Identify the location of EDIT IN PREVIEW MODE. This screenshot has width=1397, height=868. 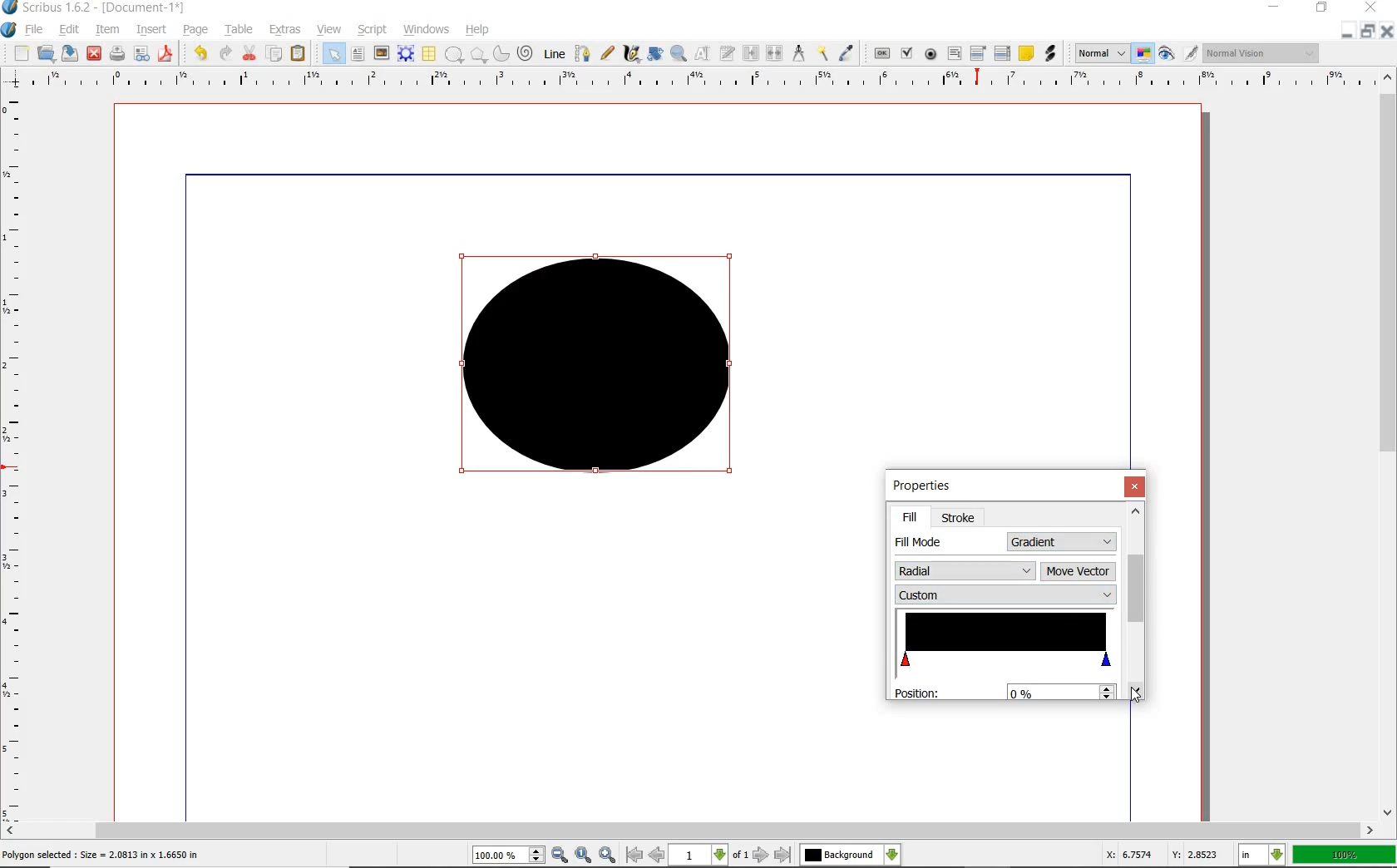
(1190, 52).